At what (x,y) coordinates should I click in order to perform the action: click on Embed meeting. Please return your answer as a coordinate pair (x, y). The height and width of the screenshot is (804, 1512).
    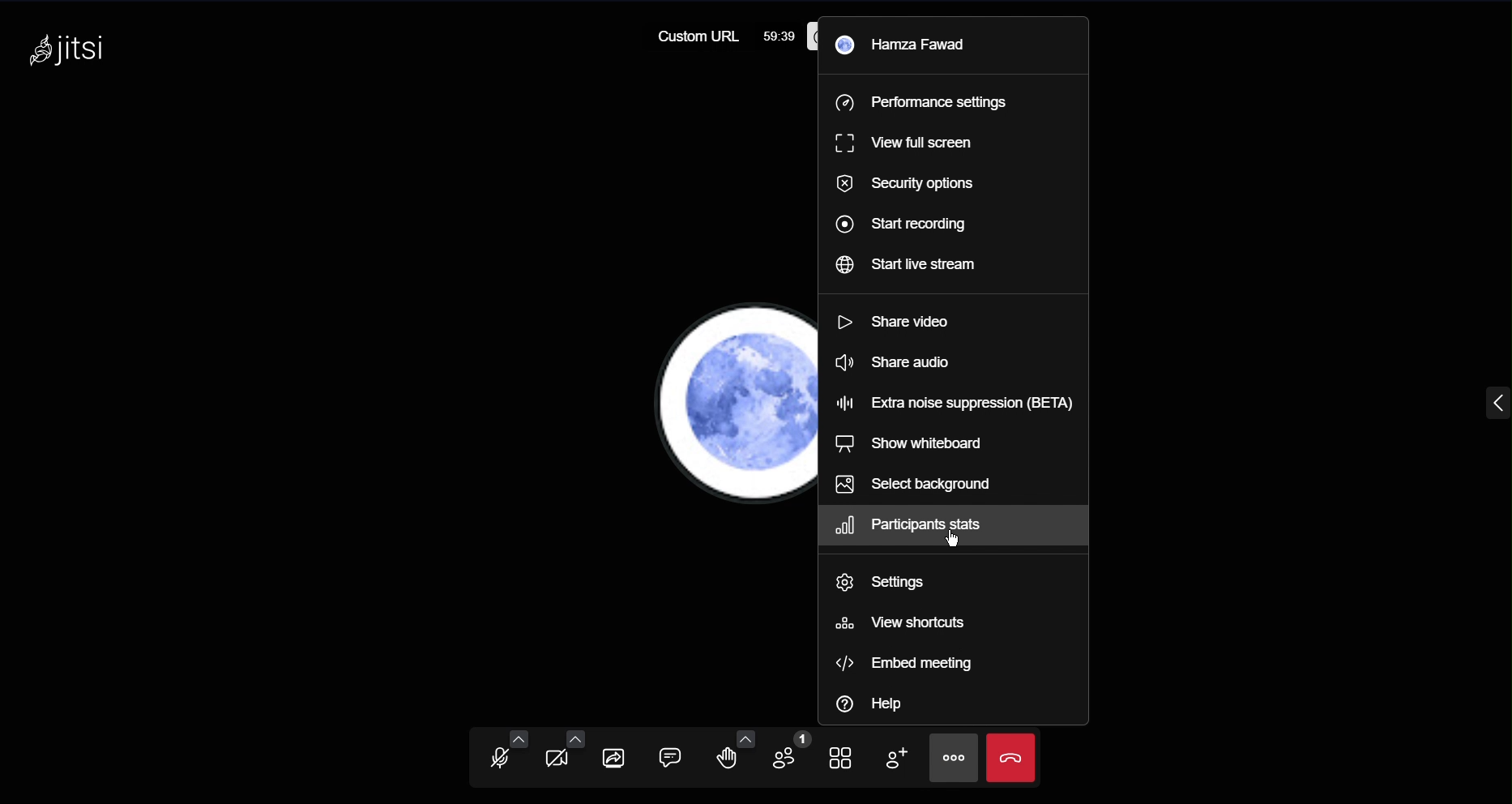
    Looking at the image, I should click on (908, 665).